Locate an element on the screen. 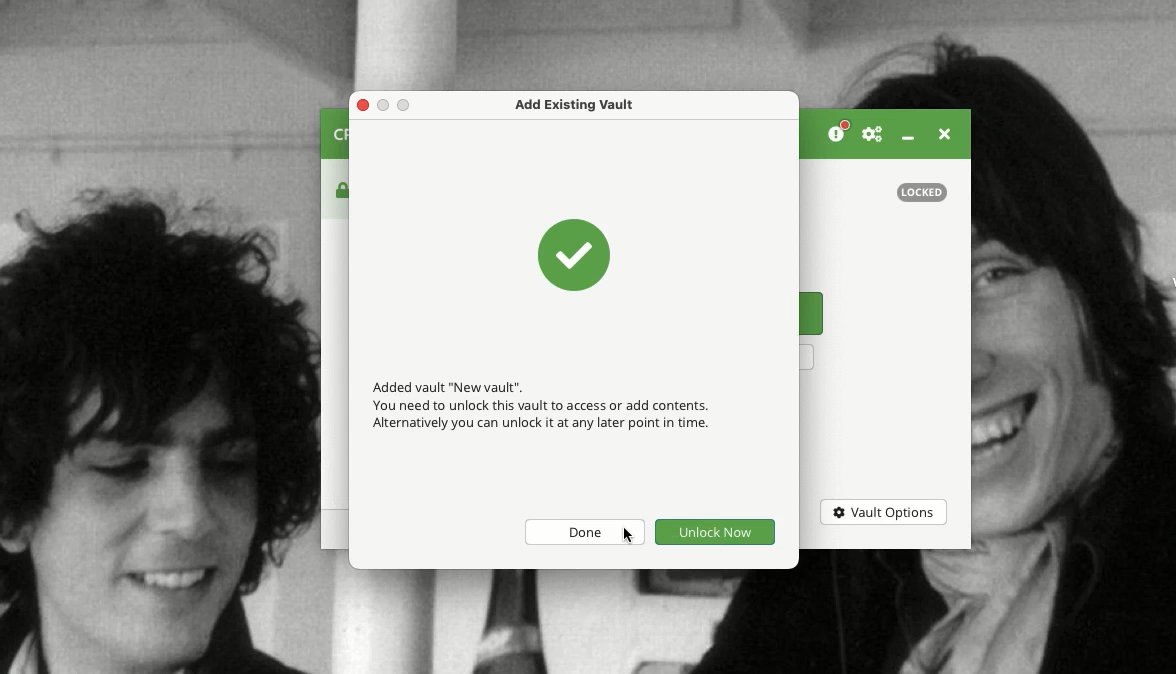 The image size is (1176, 674). Add existing vault is located at coordinates (575, 105).